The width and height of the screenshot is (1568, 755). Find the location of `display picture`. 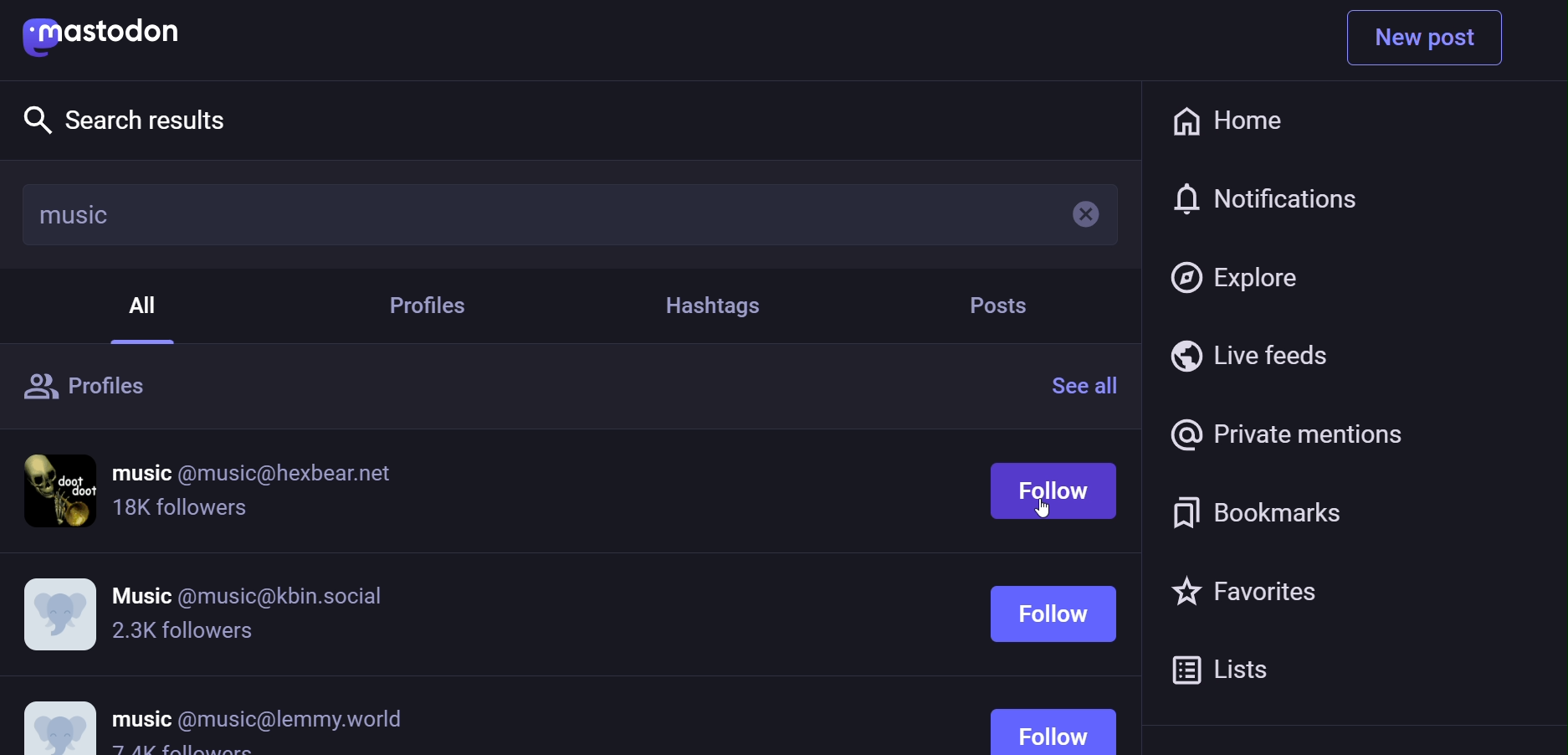

display picture is located at coordinates (61, 614).